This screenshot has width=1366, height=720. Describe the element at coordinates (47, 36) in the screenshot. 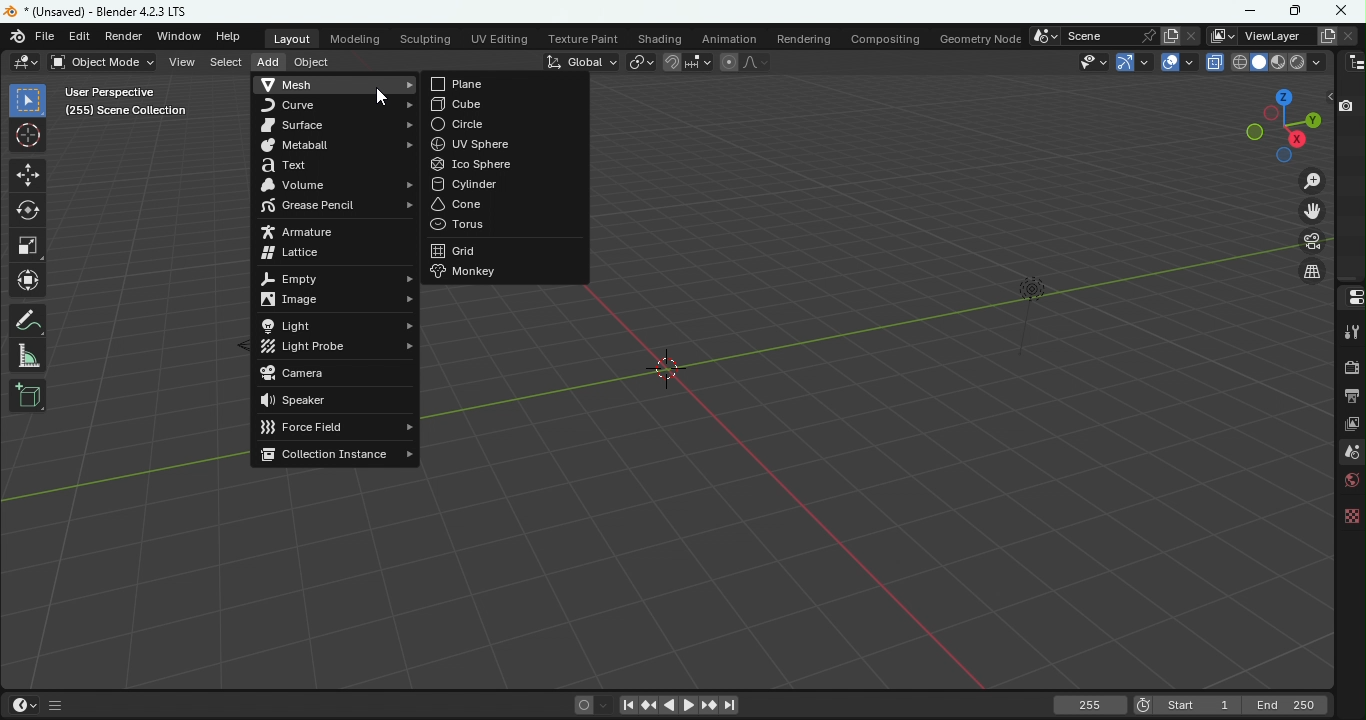

I see `File` at that location.